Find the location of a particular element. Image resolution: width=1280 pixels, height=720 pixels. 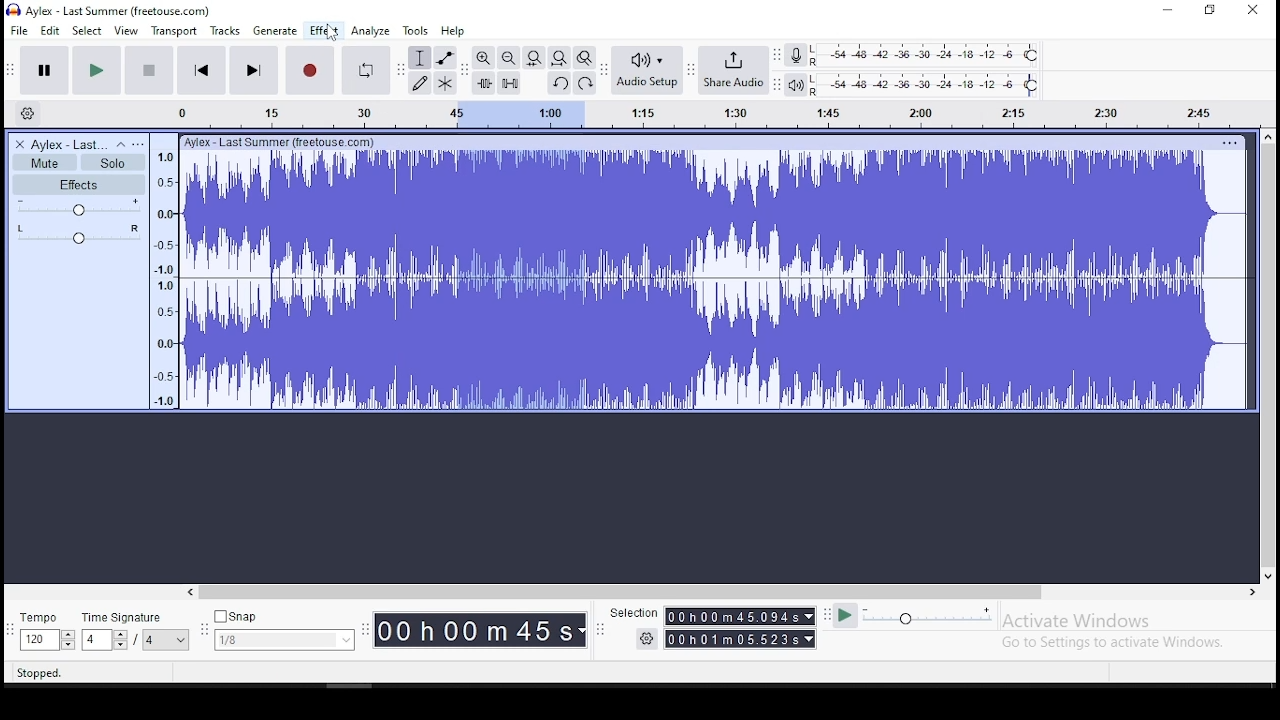

transport is located at coordinates (173, 30).